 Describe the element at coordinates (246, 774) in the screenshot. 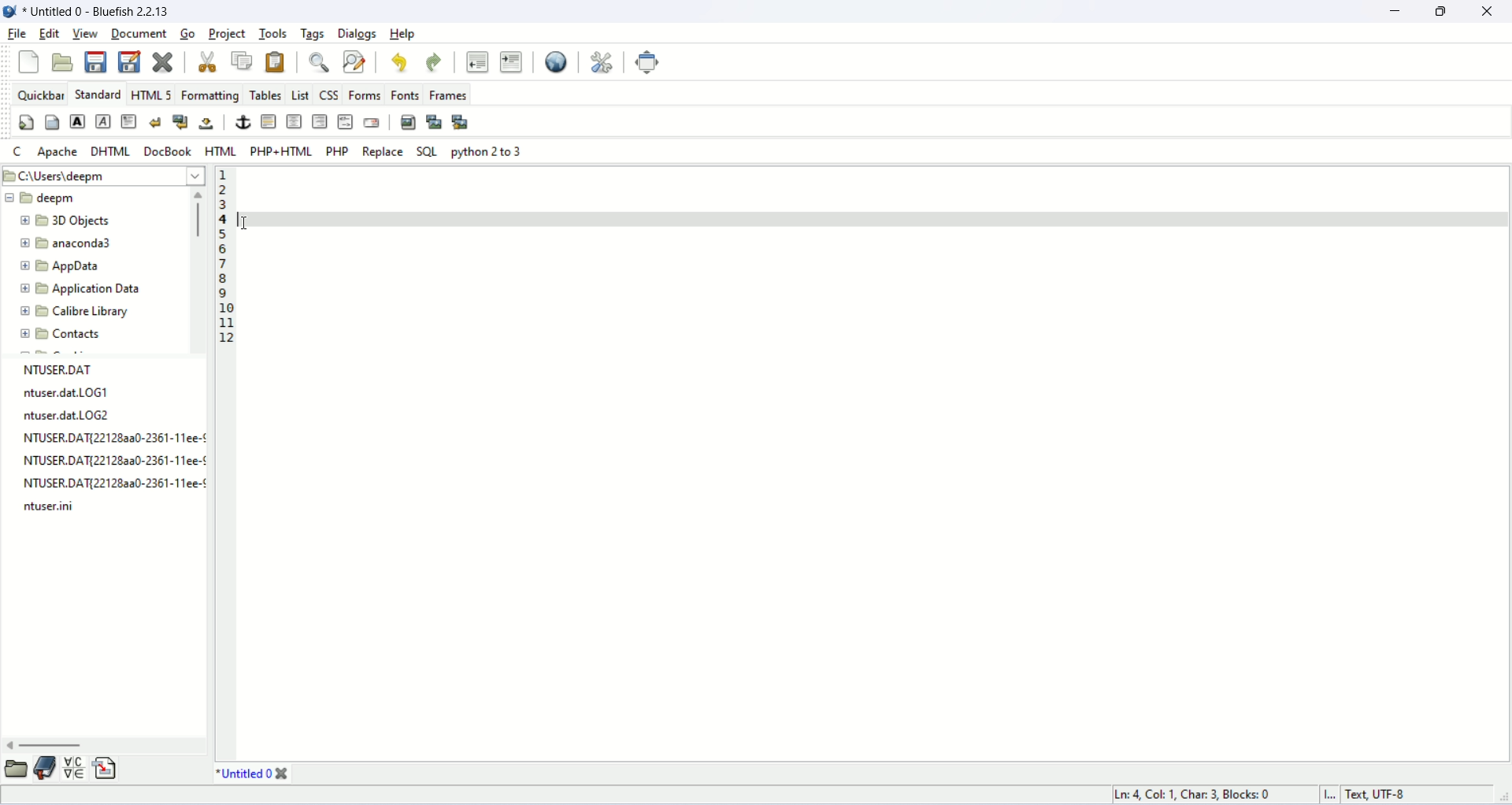

I see `file name` at that location.